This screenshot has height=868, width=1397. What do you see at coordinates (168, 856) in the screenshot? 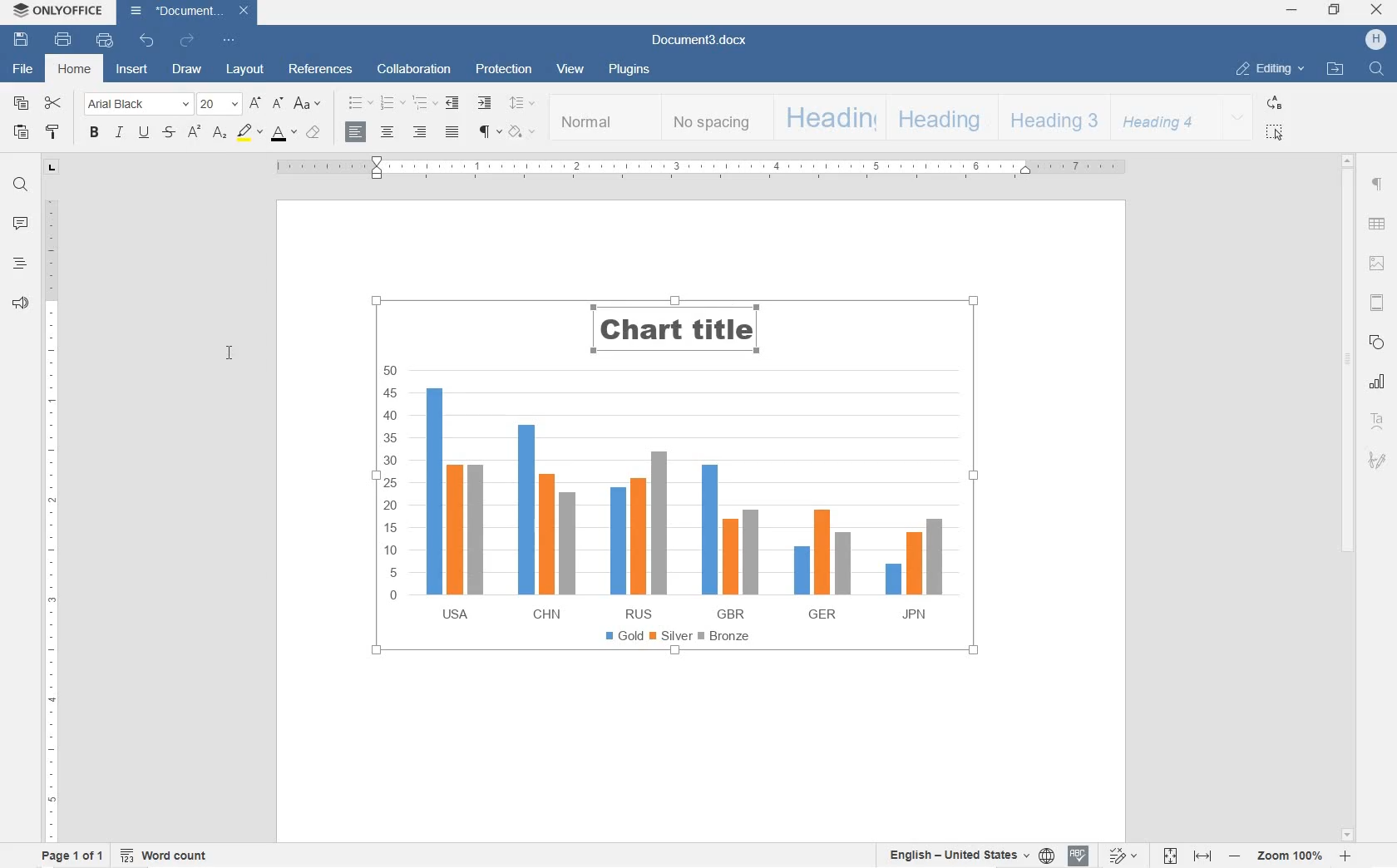
I see `WORD COUNT` at bounding box center [168, 856].